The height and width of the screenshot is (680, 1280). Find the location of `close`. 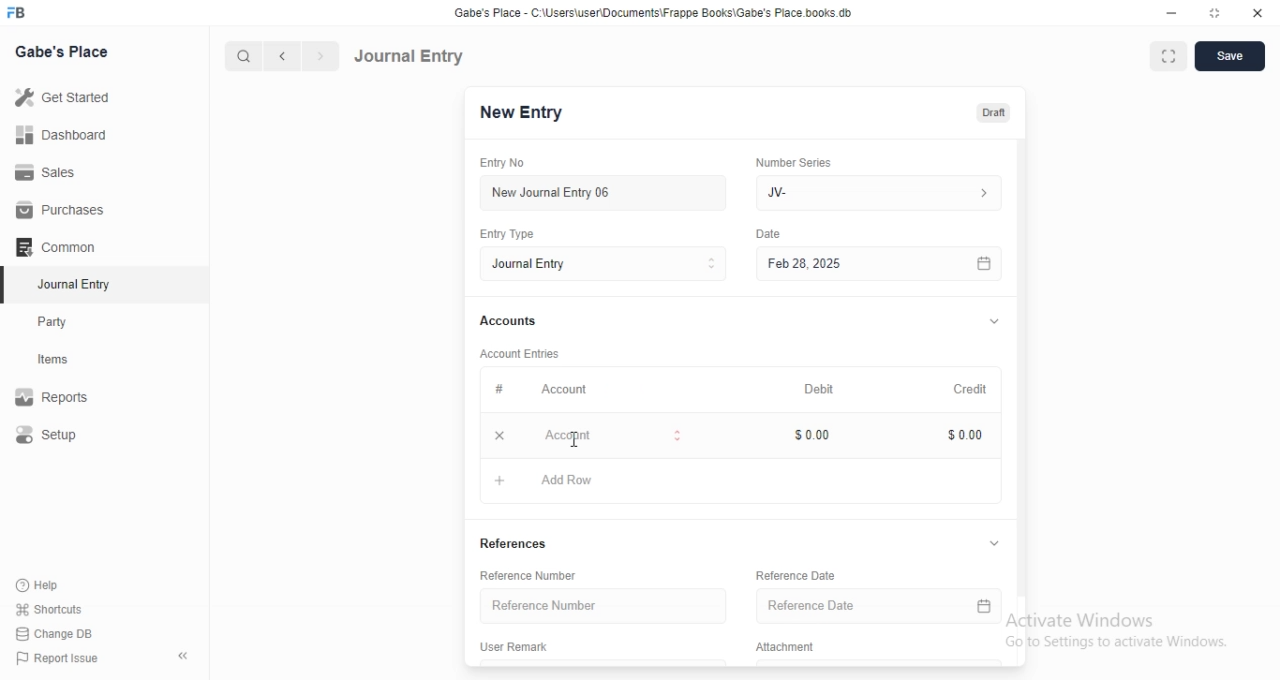

close is located at coordinates (1258, 14).